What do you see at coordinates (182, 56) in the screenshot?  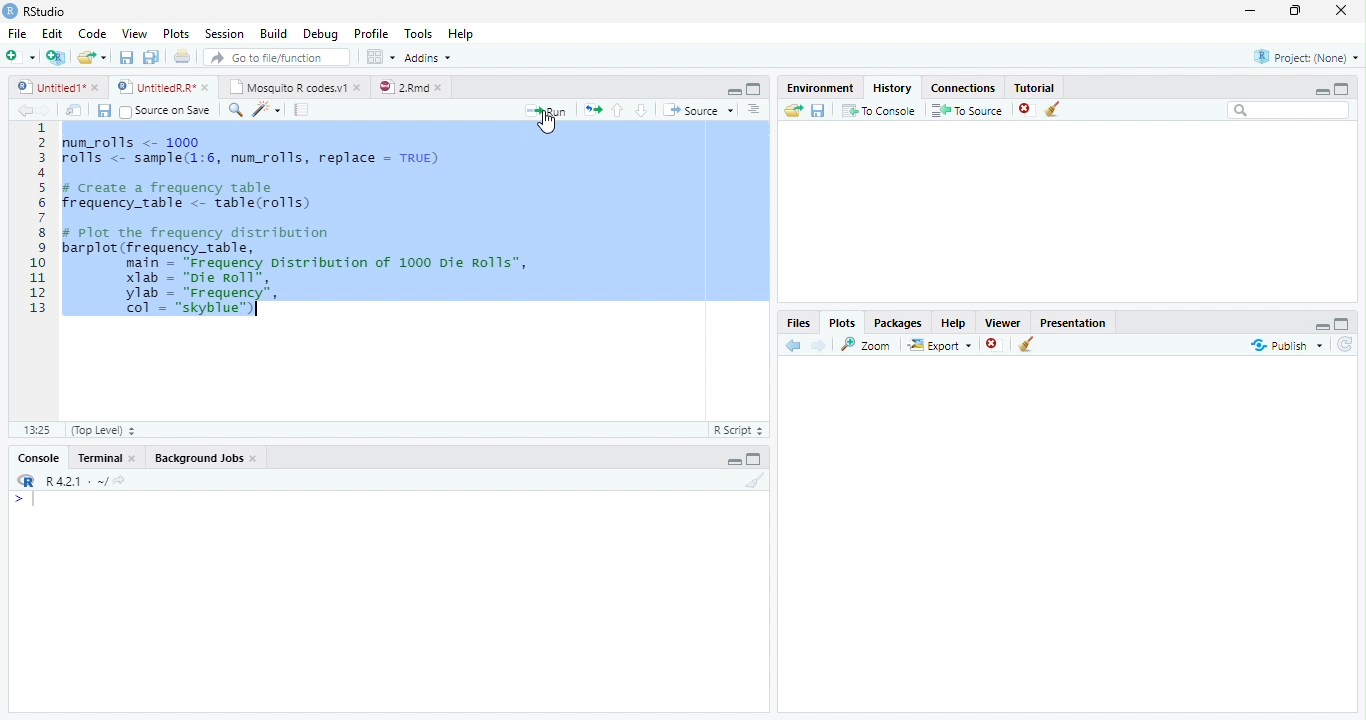 I see `Print` at bounding box center [182, 56].